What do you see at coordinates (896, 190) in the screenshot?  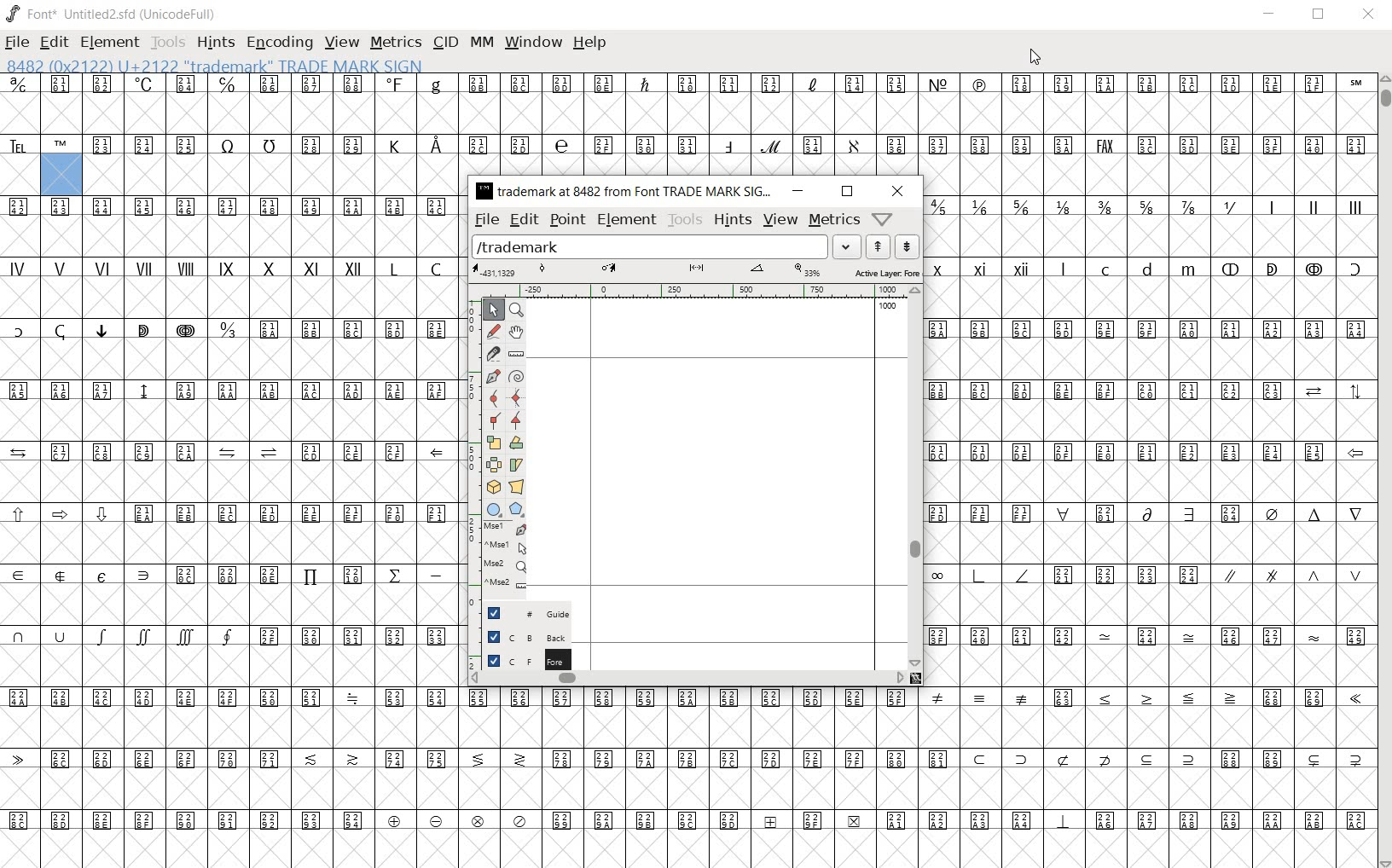 I see `close` at bounding box center [896, 190].